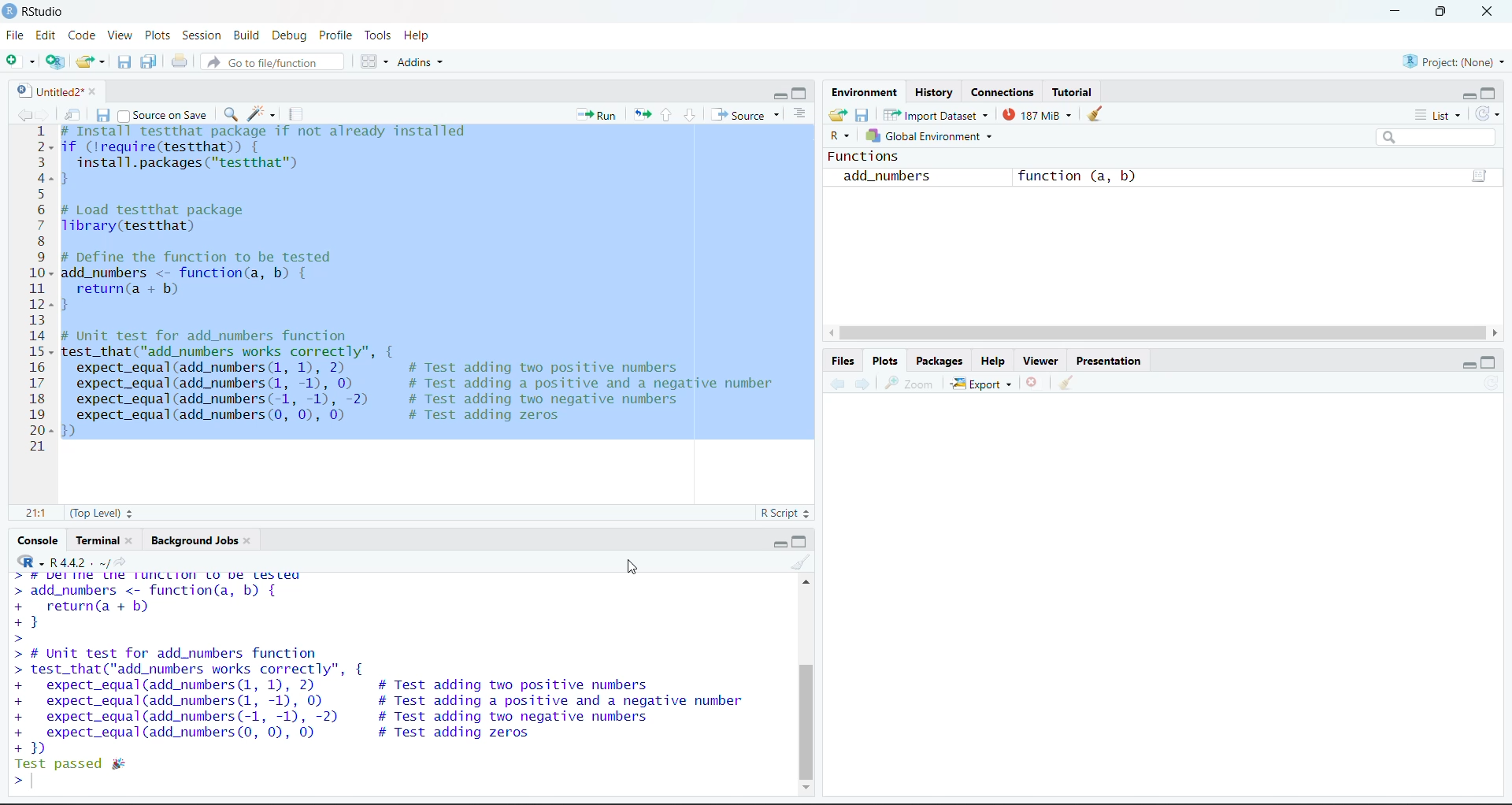 This screenshot has width=1512, height=805. Describe the element at coordinates (1095, 114) in the screenshot. I see `clear` at that location.